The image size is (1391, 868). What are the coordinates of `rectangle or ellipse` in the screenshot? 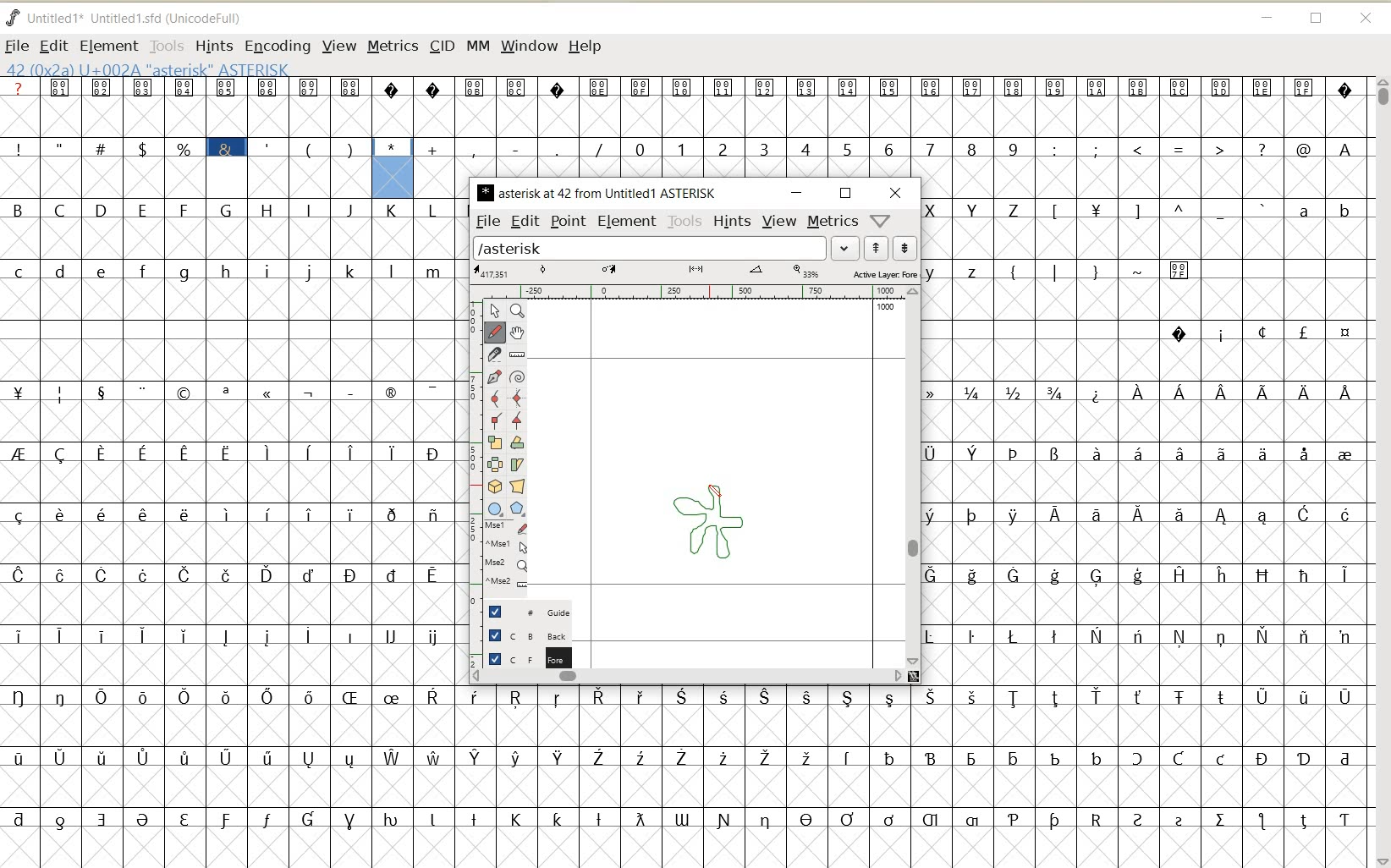 It's located at (493, 509).